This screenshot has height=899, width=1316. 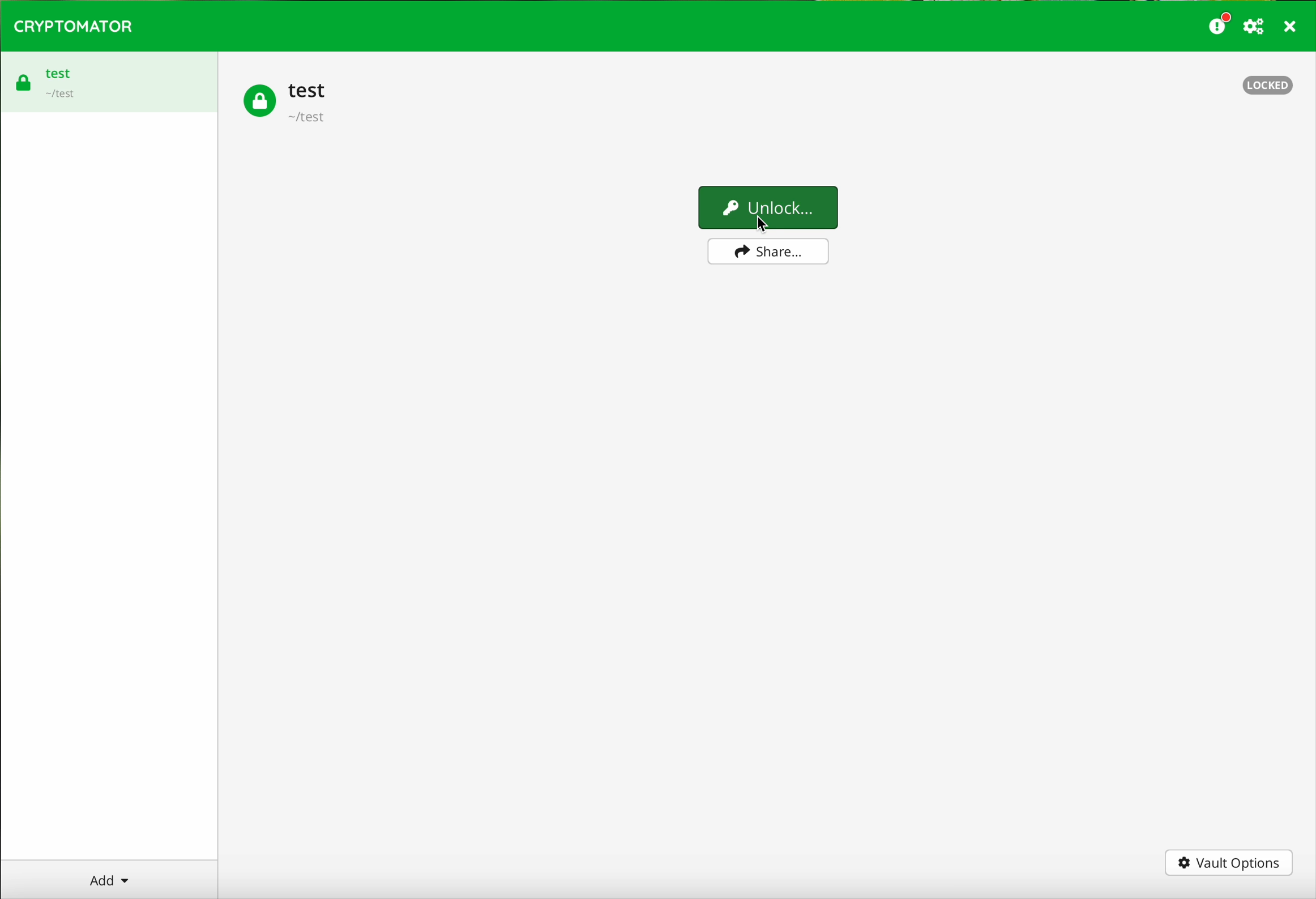 I want to click on cursor, so click(x=767, y=227).